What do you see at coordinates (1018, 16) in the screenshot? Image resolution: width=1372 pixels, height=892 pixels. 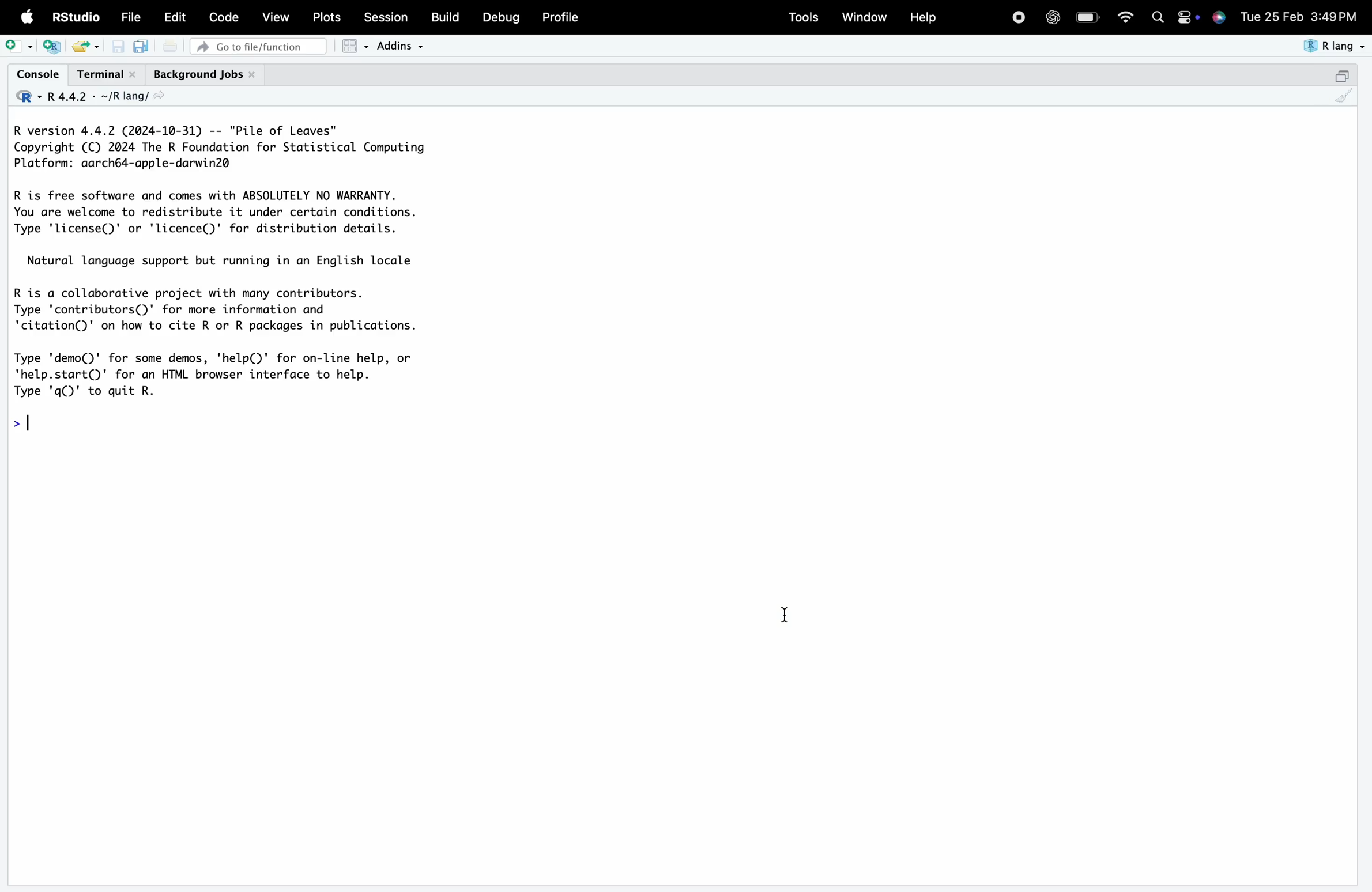 I see `stop` at bounding box center [1018, 16].